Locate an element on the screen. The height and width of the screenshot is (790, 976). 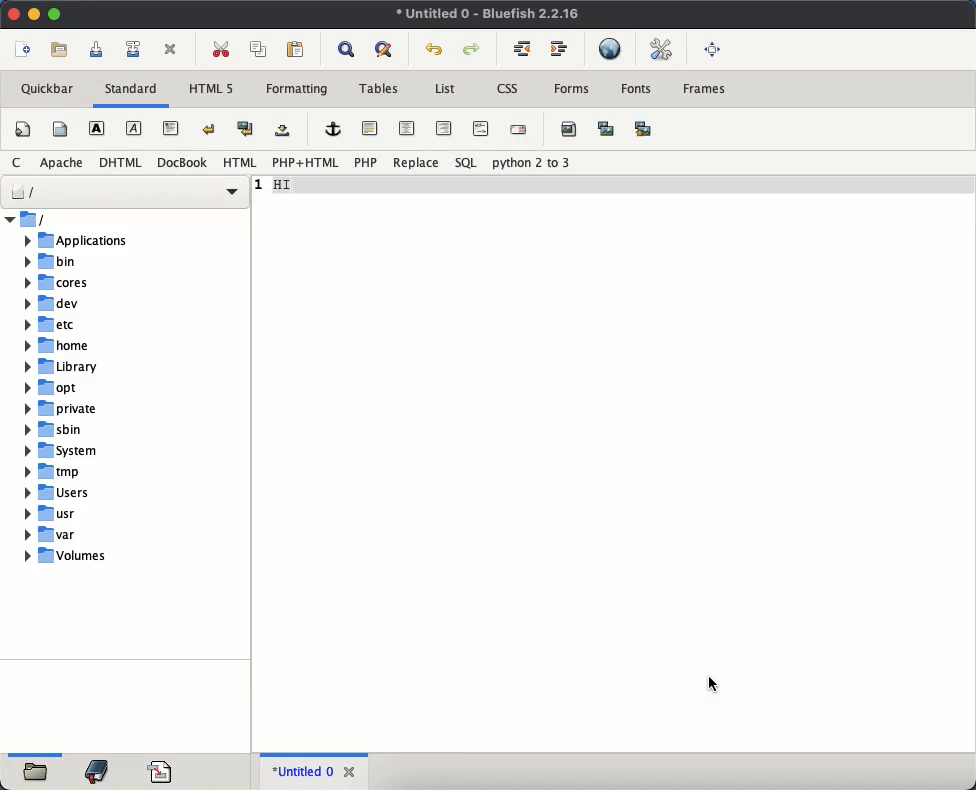
right justify is located at coordinates (442, 129).